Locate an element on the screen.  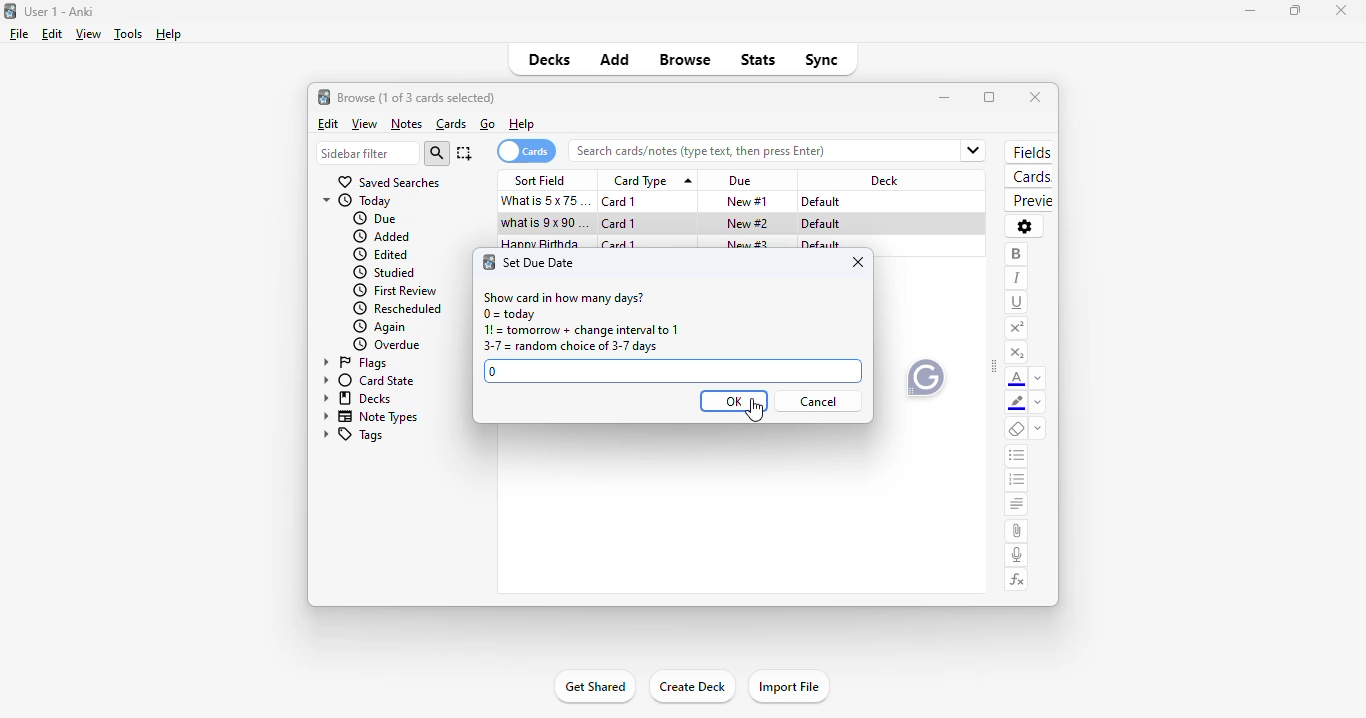
saved searches is located at coordinates (390, 183).